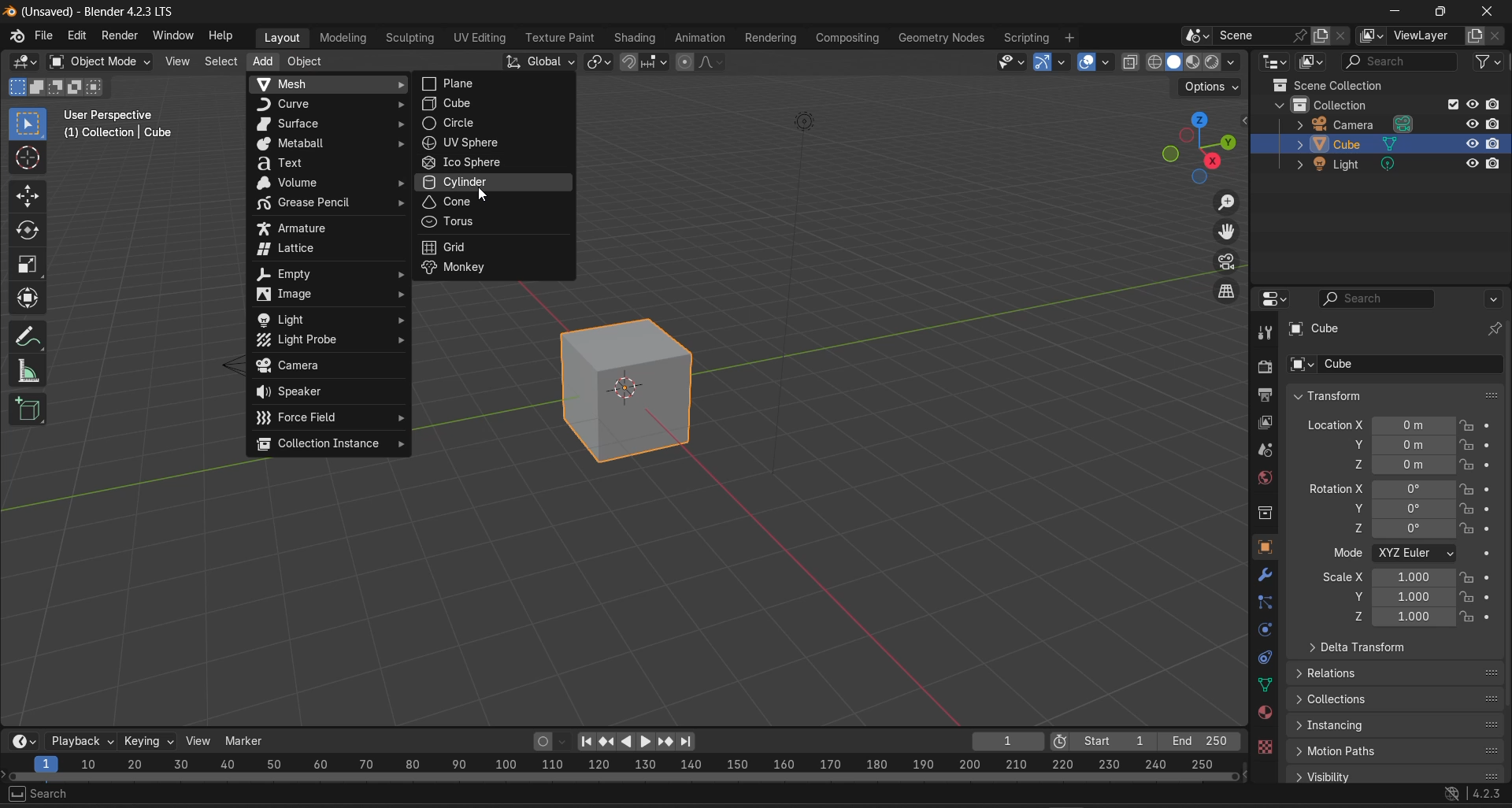  I want to click on texture, so click(1265, 749).